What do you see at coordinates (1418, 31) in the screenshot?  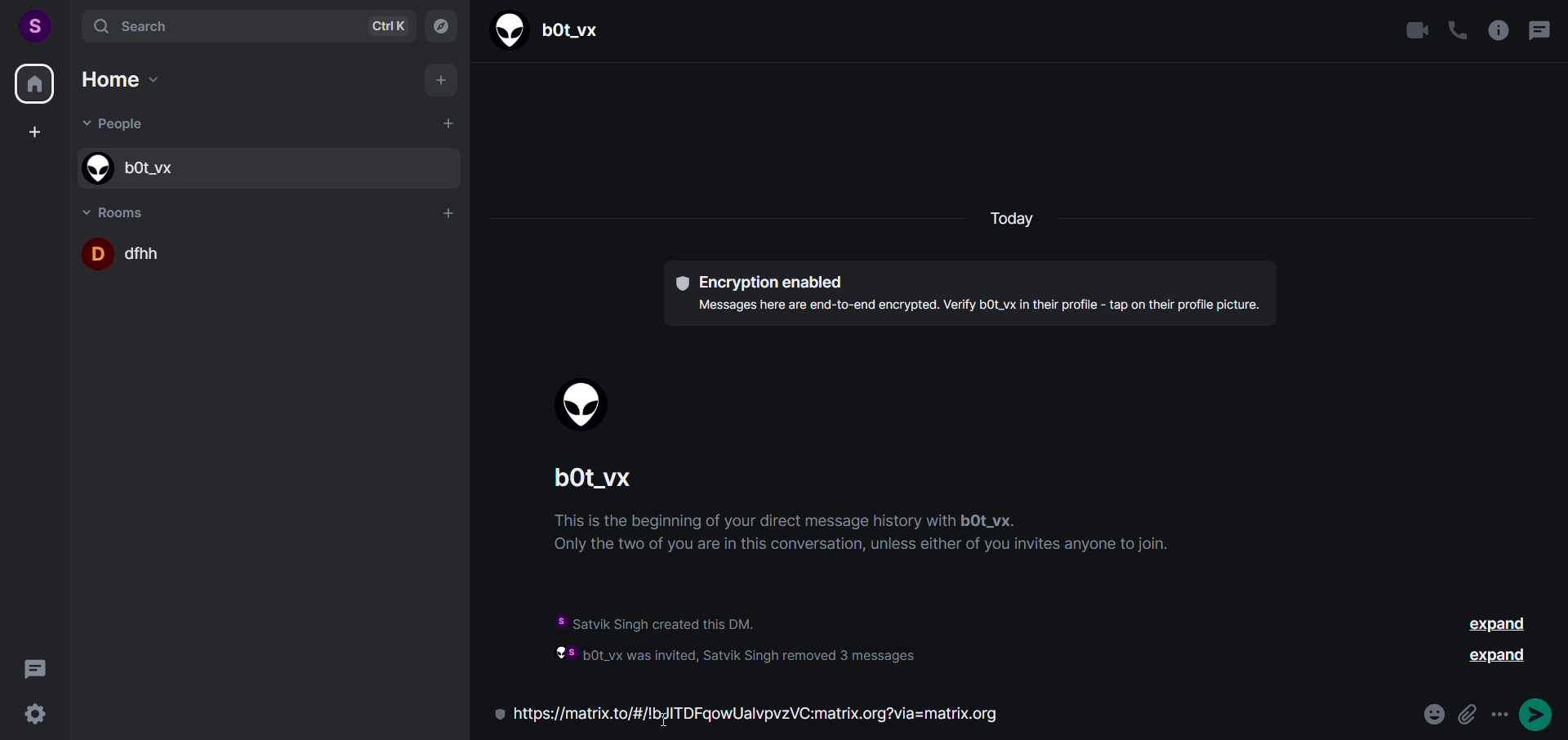 I see `video call` at bounding box center [1418, 31].